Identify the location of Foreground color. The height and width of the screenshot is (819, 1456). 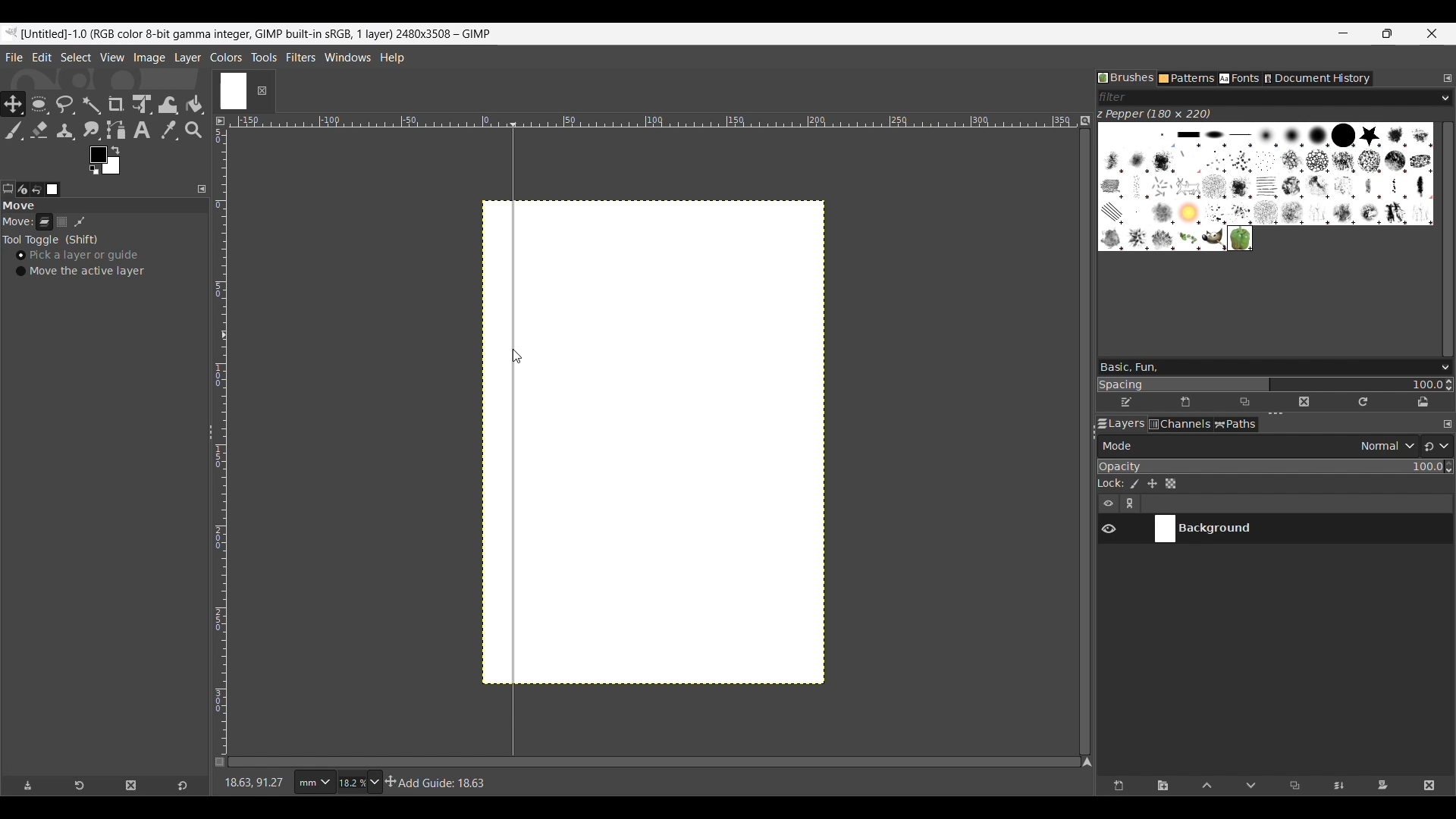
(104, 160).